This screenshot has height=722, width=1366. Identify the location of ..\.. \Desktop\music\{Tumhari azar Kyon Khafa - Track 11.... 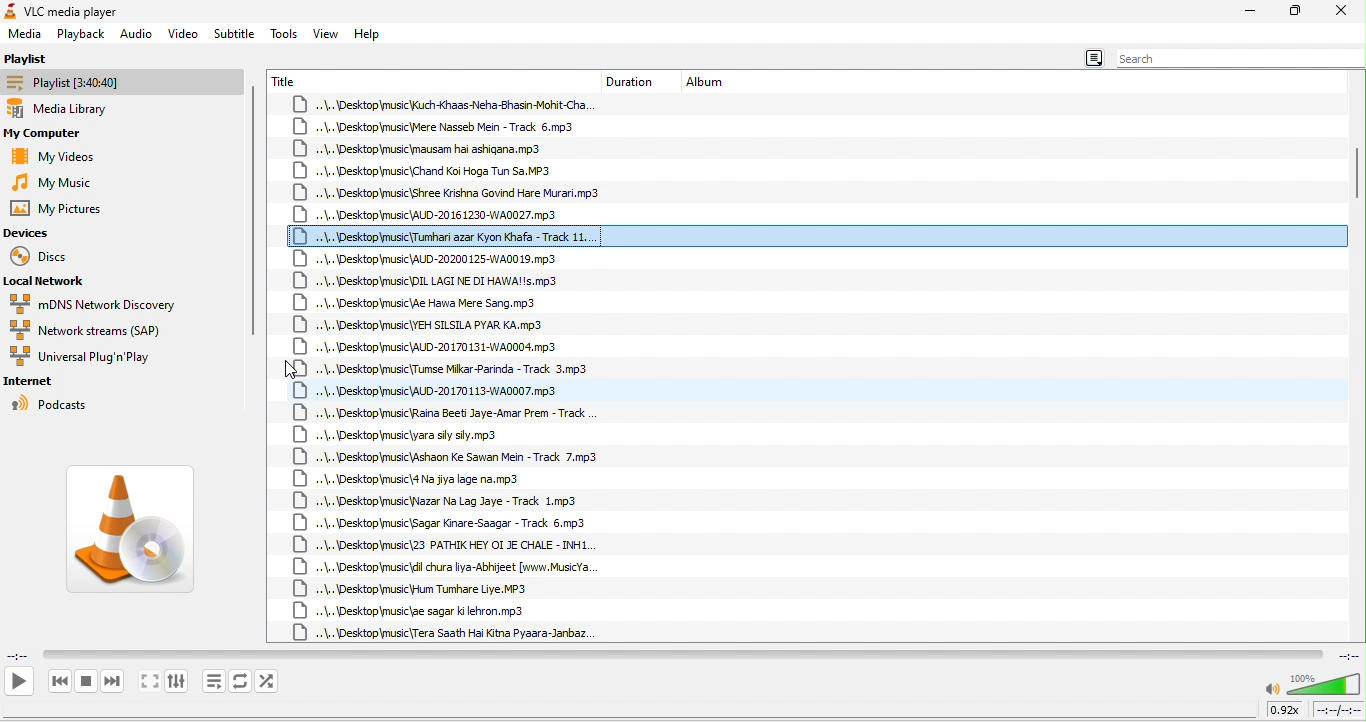
(446, 236).